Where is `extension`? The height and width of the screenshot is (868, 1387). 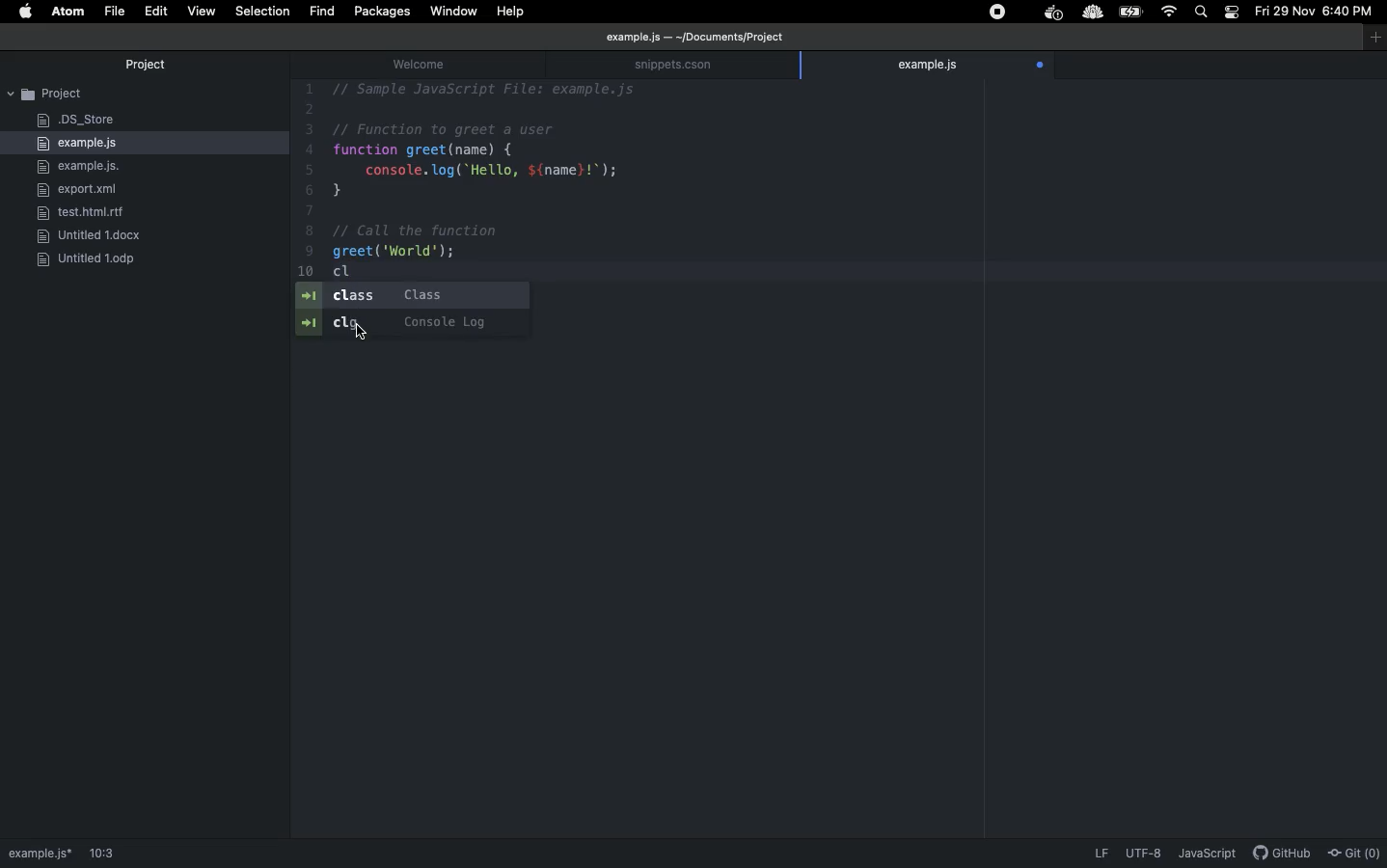
extension is located at coordinates (1092, 14).